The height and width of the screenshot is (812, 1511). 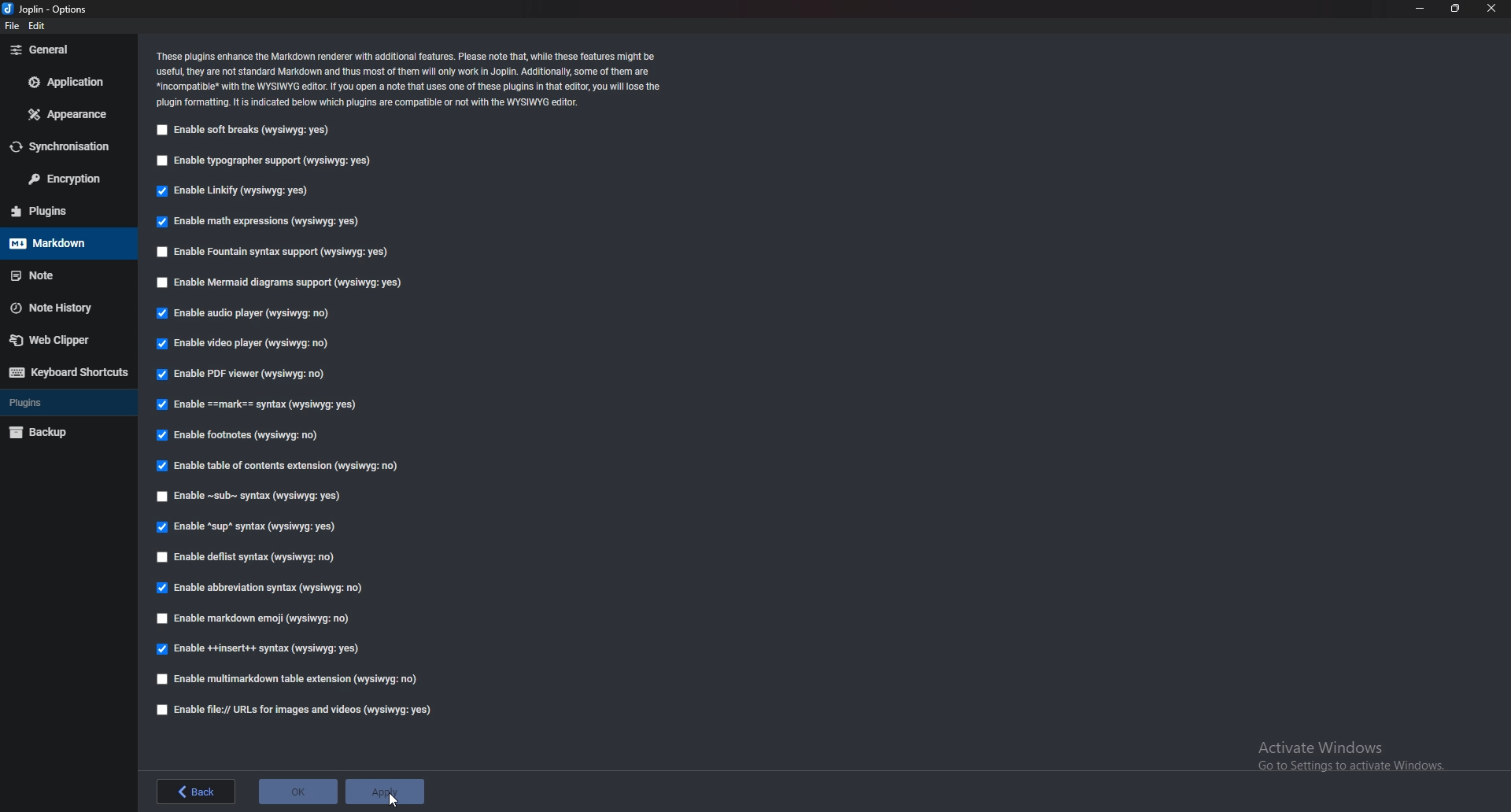 What do you see at coordinates (279, 160) in the screenshot?
I see `Enable typographer support` at bounding box center [279, 160].